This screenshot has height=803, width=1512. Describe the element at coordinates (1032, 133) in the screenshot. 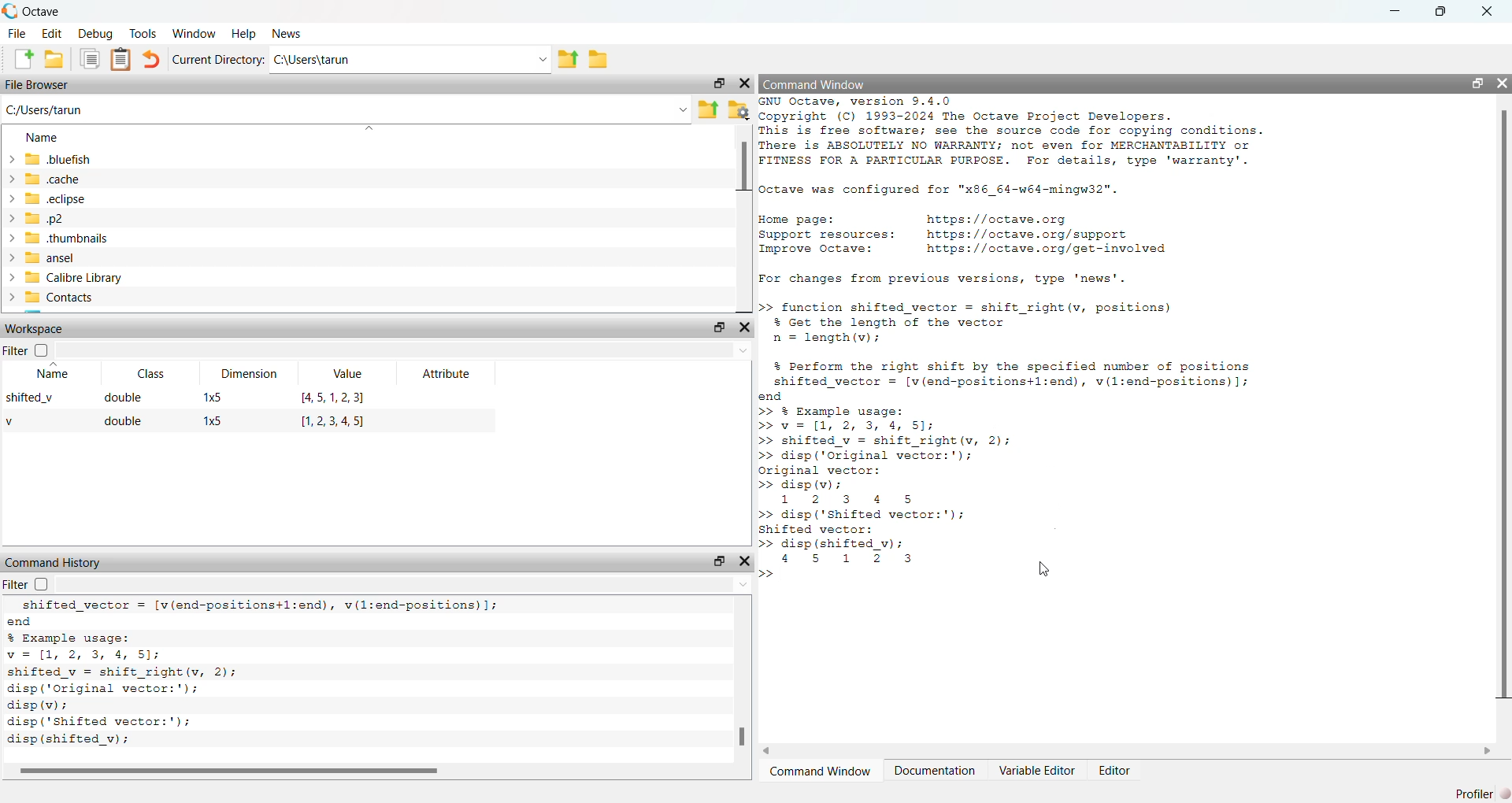

I see `octave version and copyright details` at that location.